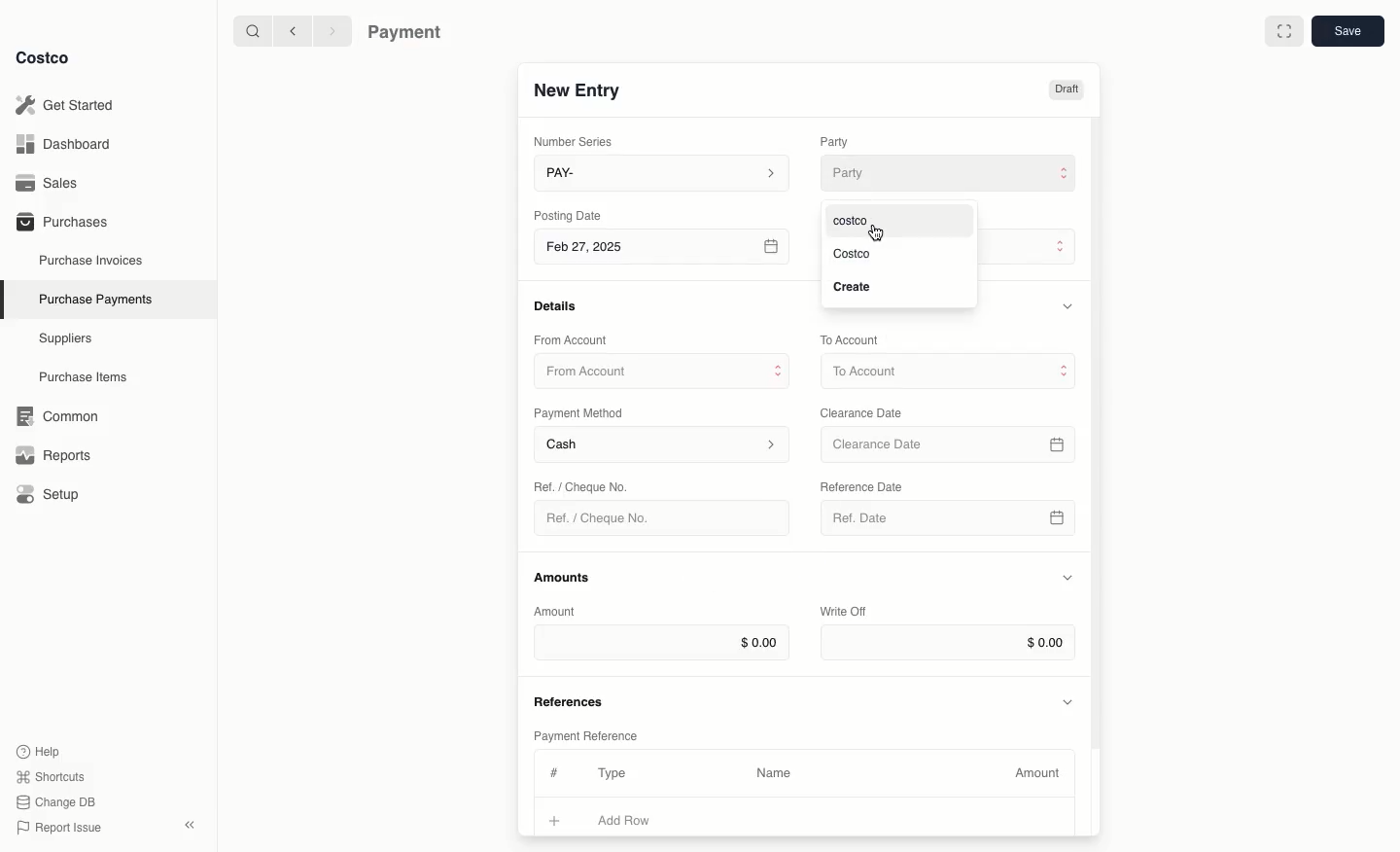  What do you see at coordinates (662, 370) in the screenshot?
I see `From Account` at bounding box center [662, 370].